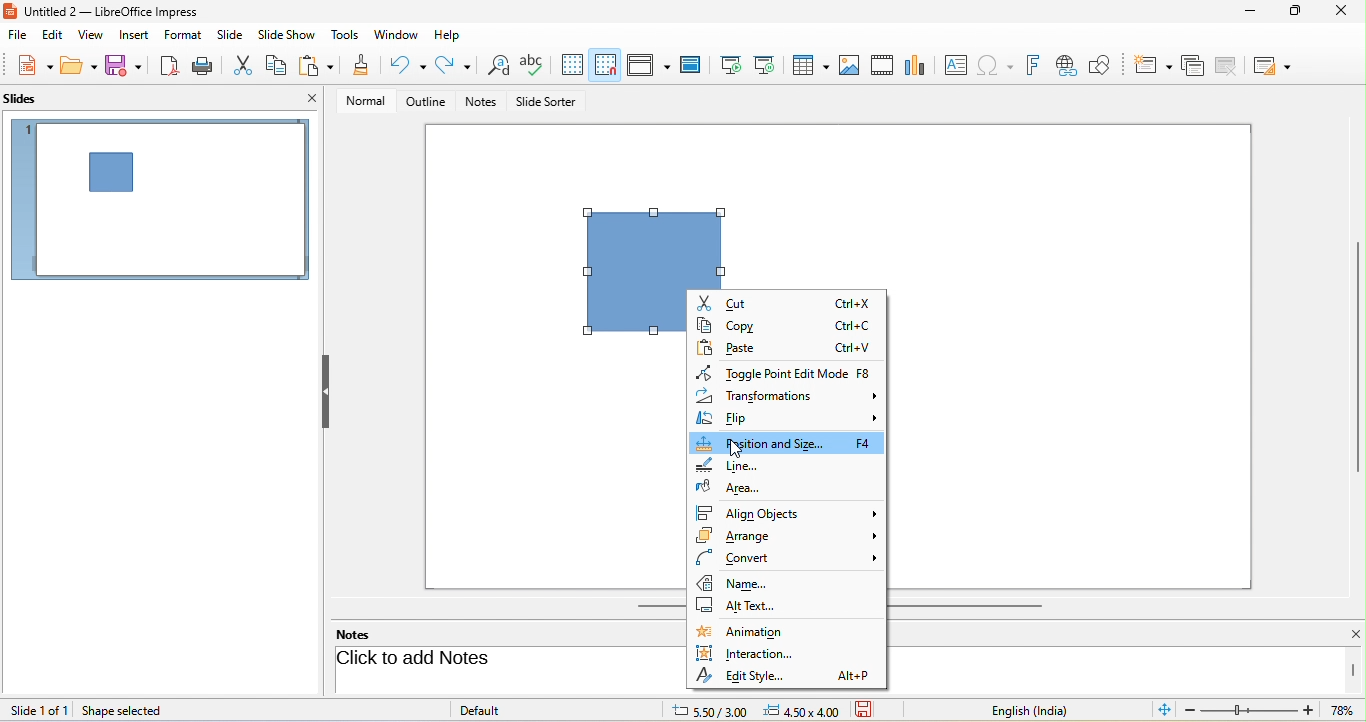  Describe the element at coordinates (1153, 63) in the screenshot. I see `new slide` at that location.